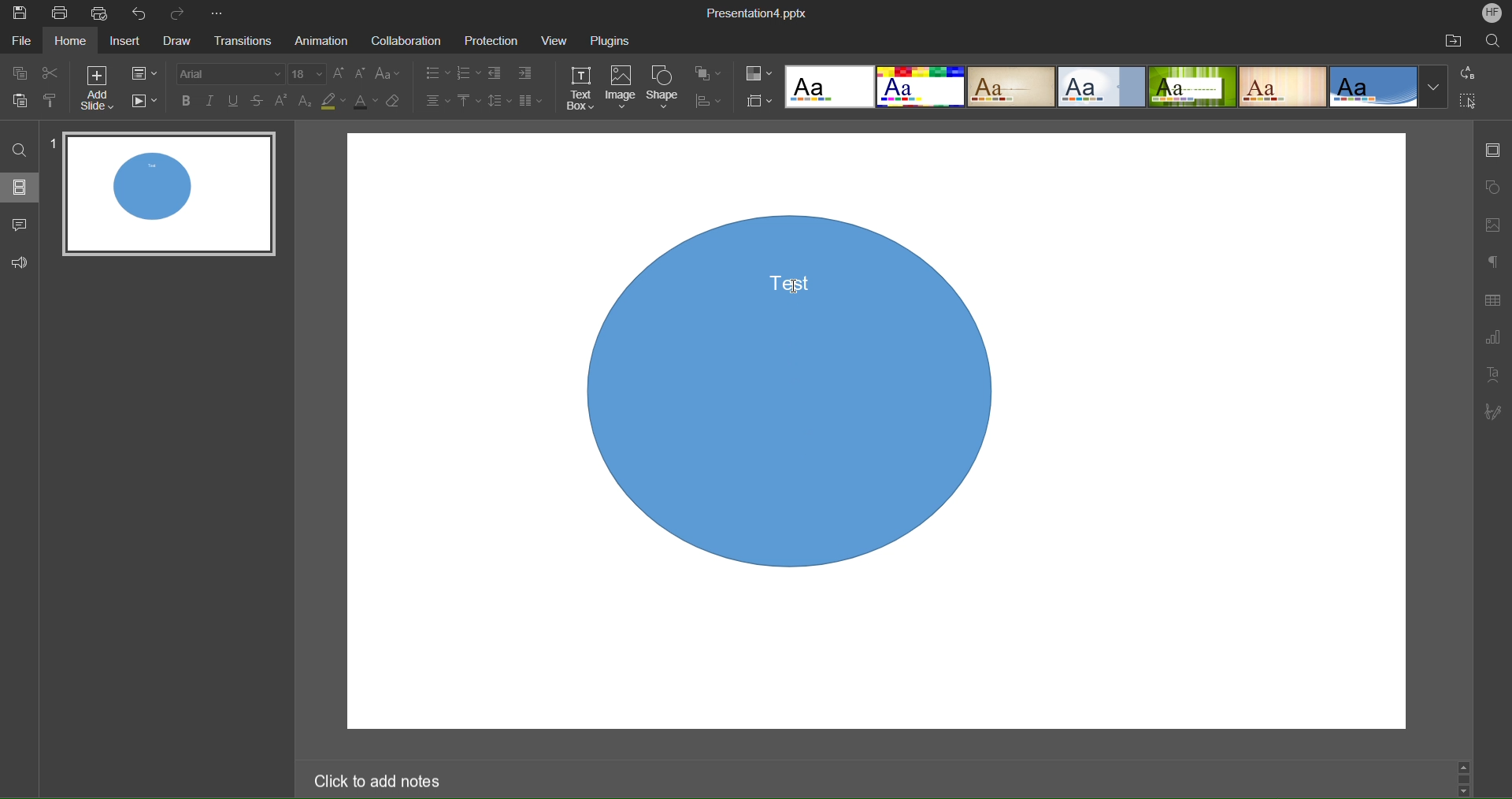  I want to click on Bold, so click(186, 103).